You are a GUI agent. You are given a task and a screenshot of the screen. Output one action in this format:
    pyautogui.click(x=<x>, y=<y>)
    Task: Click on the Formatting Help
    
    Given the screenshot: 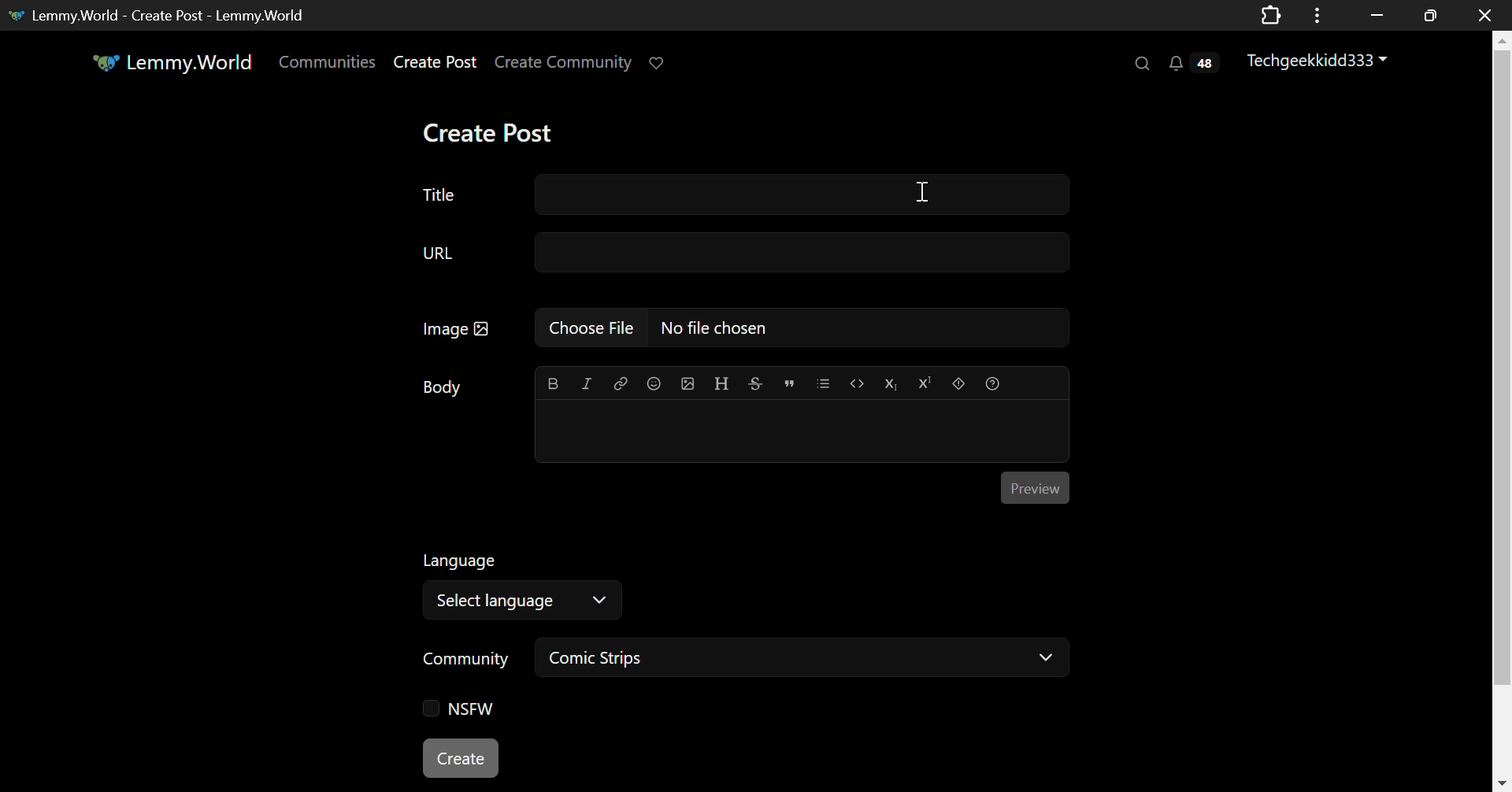 What is the action you would take?
    pyautogui.click(x=992, y=381)
    